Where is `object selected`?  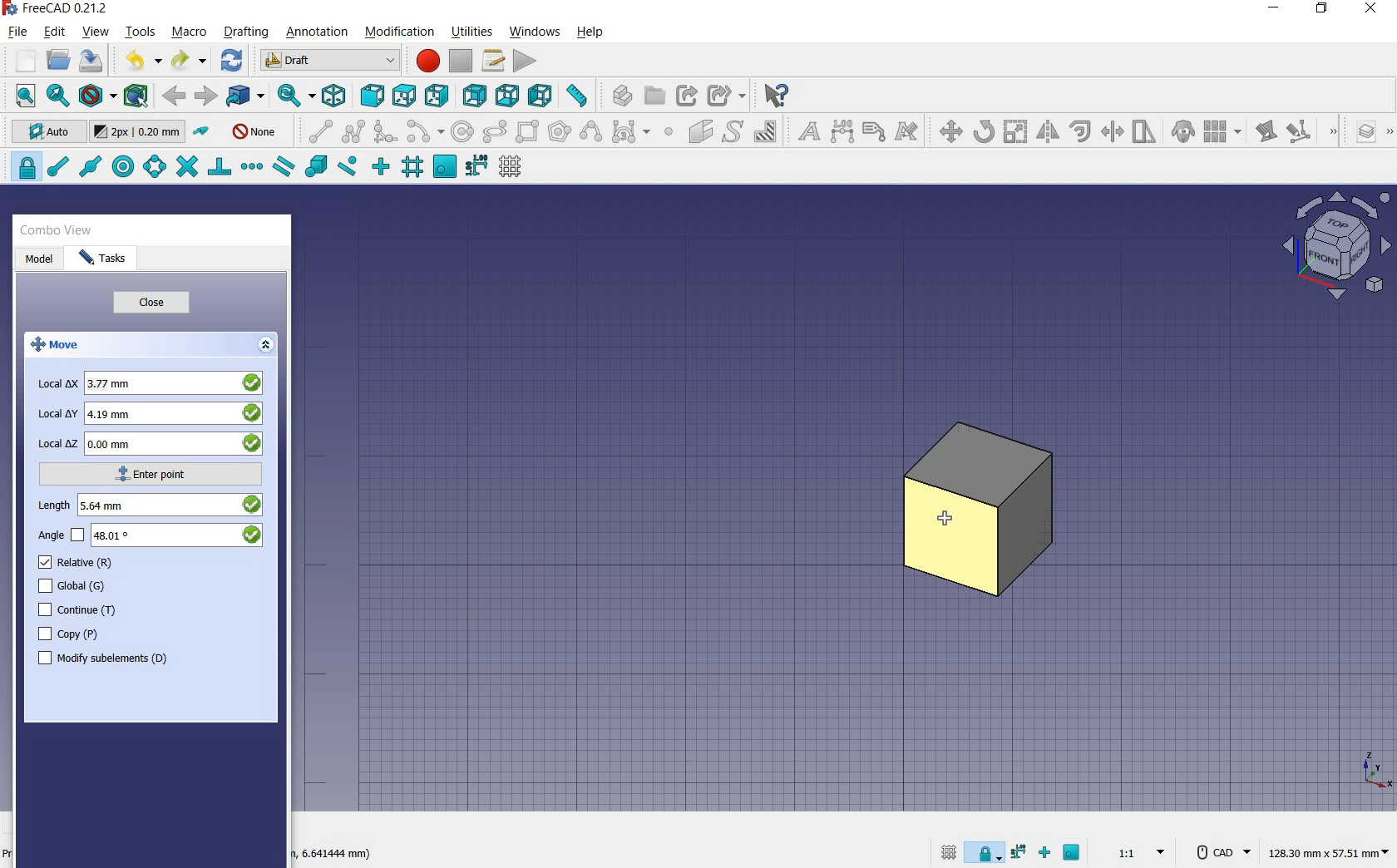 object selected is located at coordinates (975, 511).